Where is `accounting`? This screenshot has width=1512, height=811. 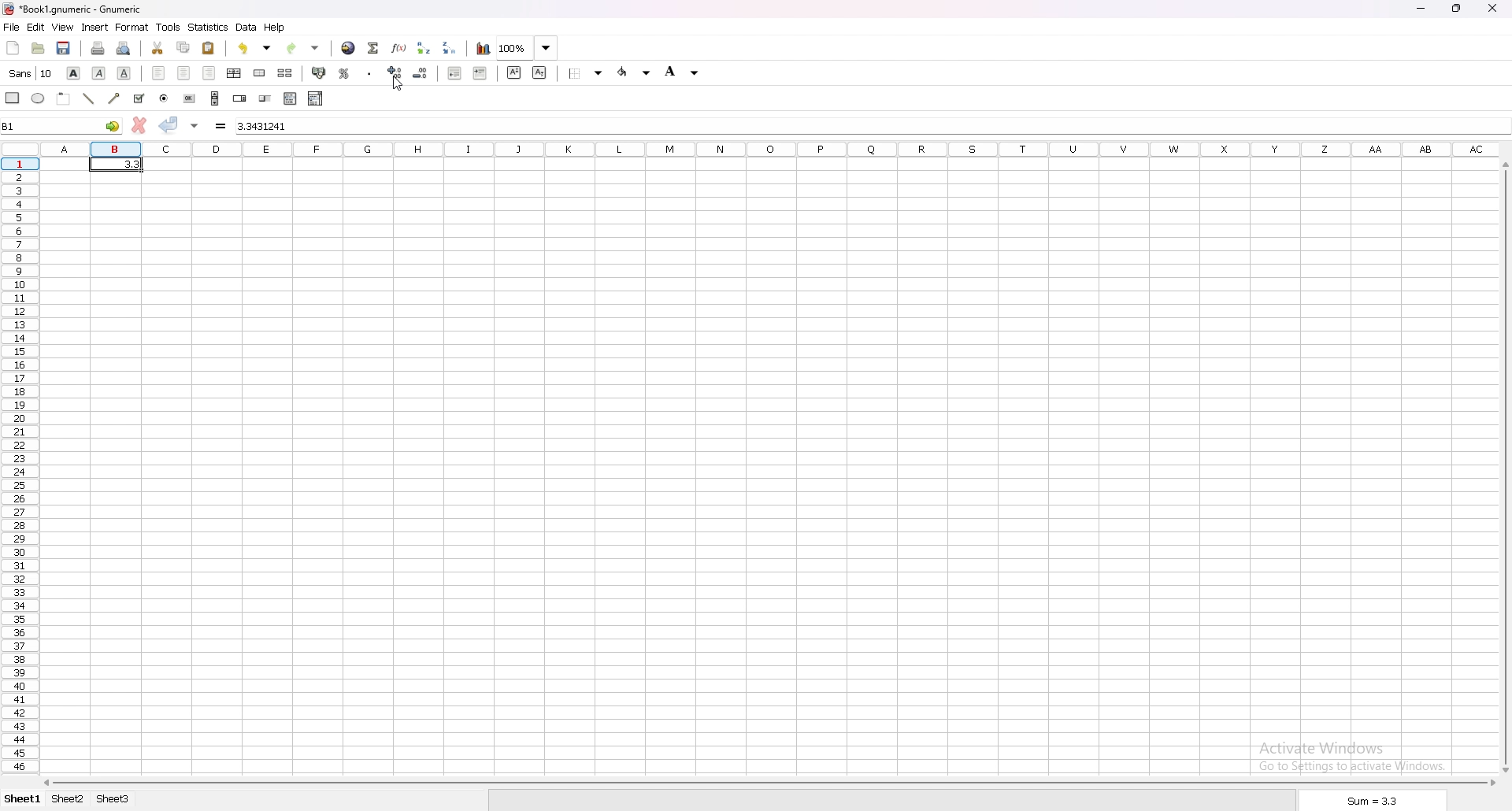
accounting is located at coordinates (321, 72).